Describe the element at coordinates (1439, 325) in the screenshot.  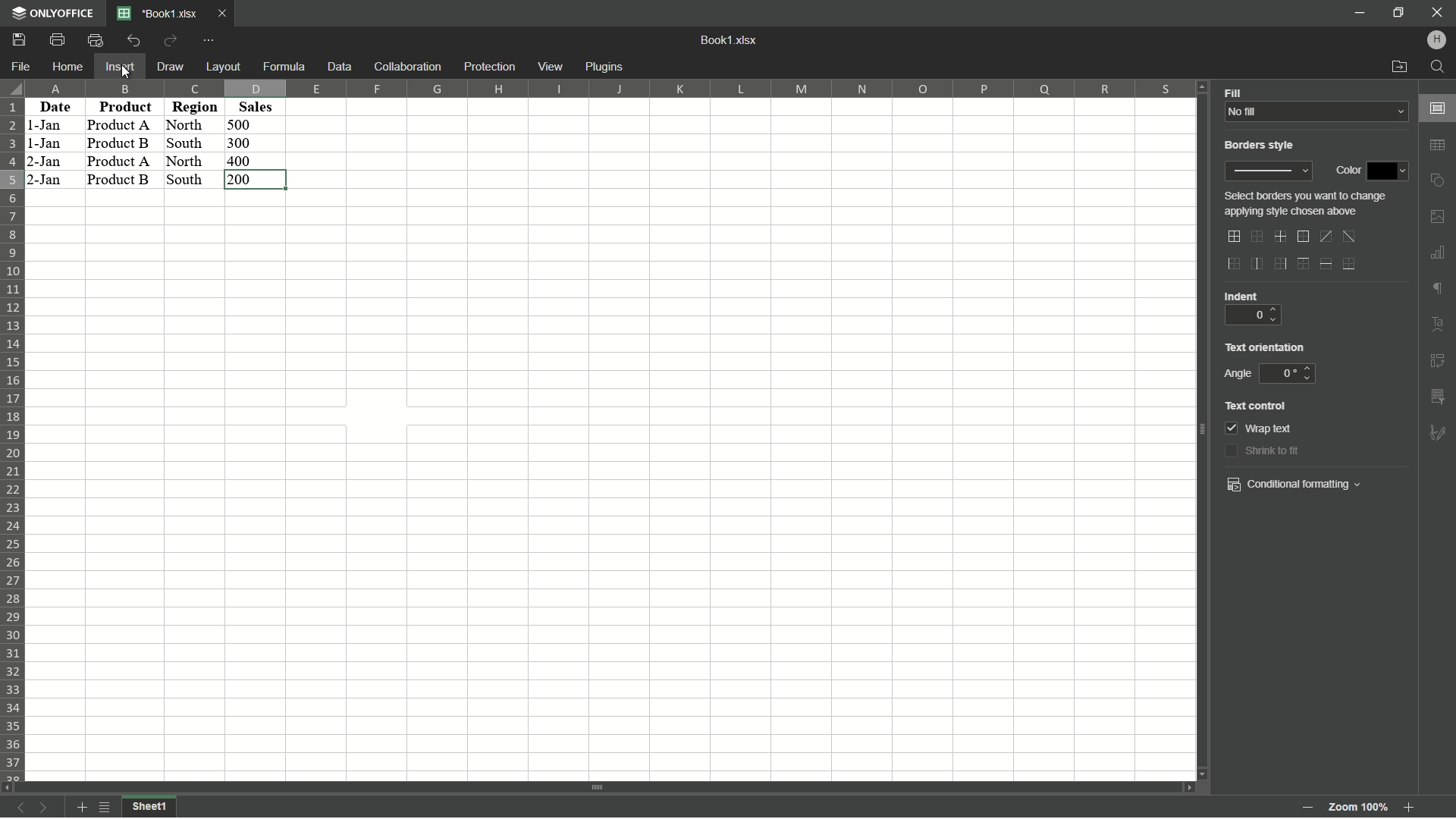
I see `text art` at that location.